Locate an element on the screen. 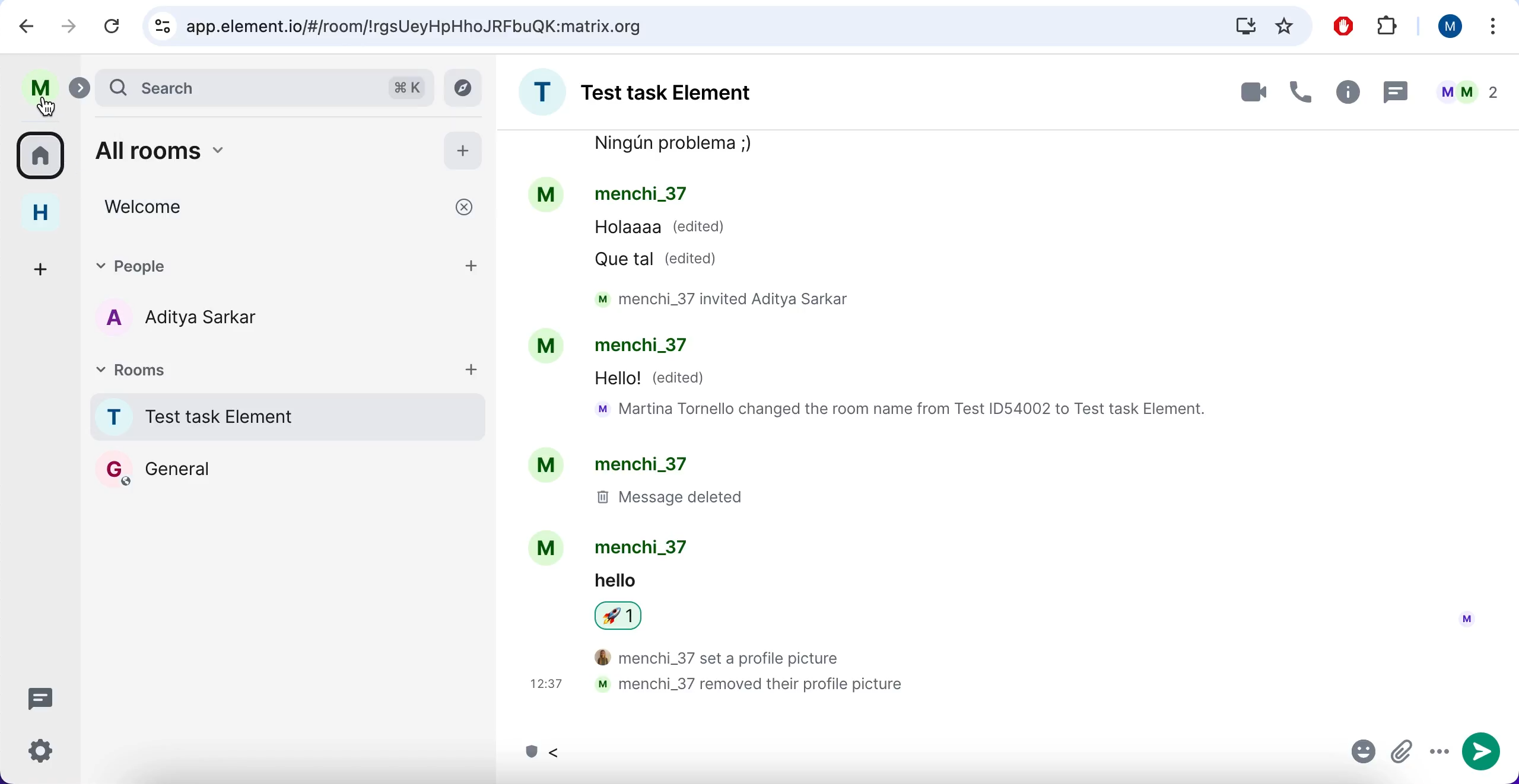 Image resolution: width=1519 pixels, height=784 pixels. attachments is located at coordinates (1403, 753).